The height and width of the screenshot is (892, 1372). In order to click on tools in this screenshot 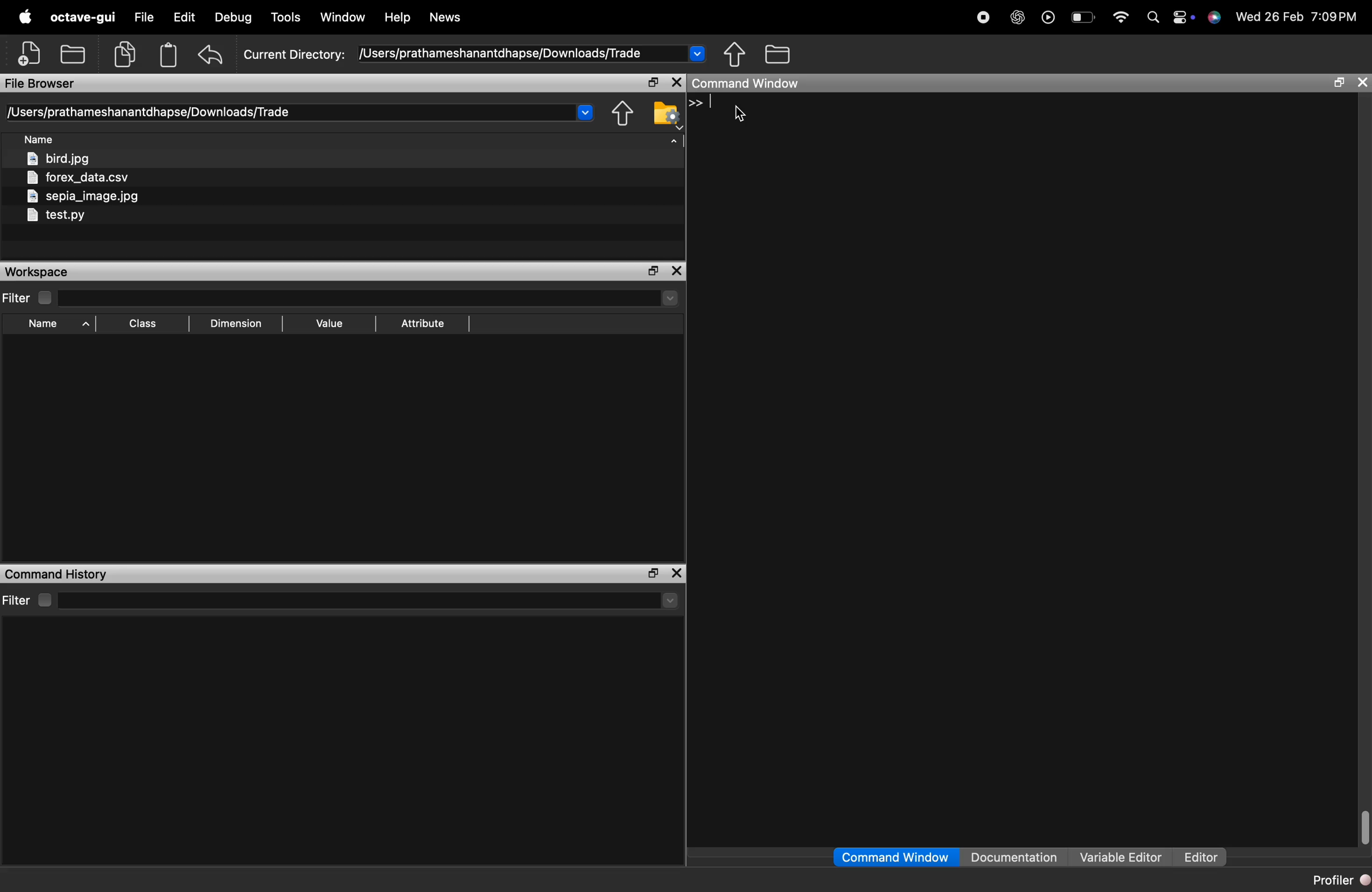, I will do `click(287, 17)`.